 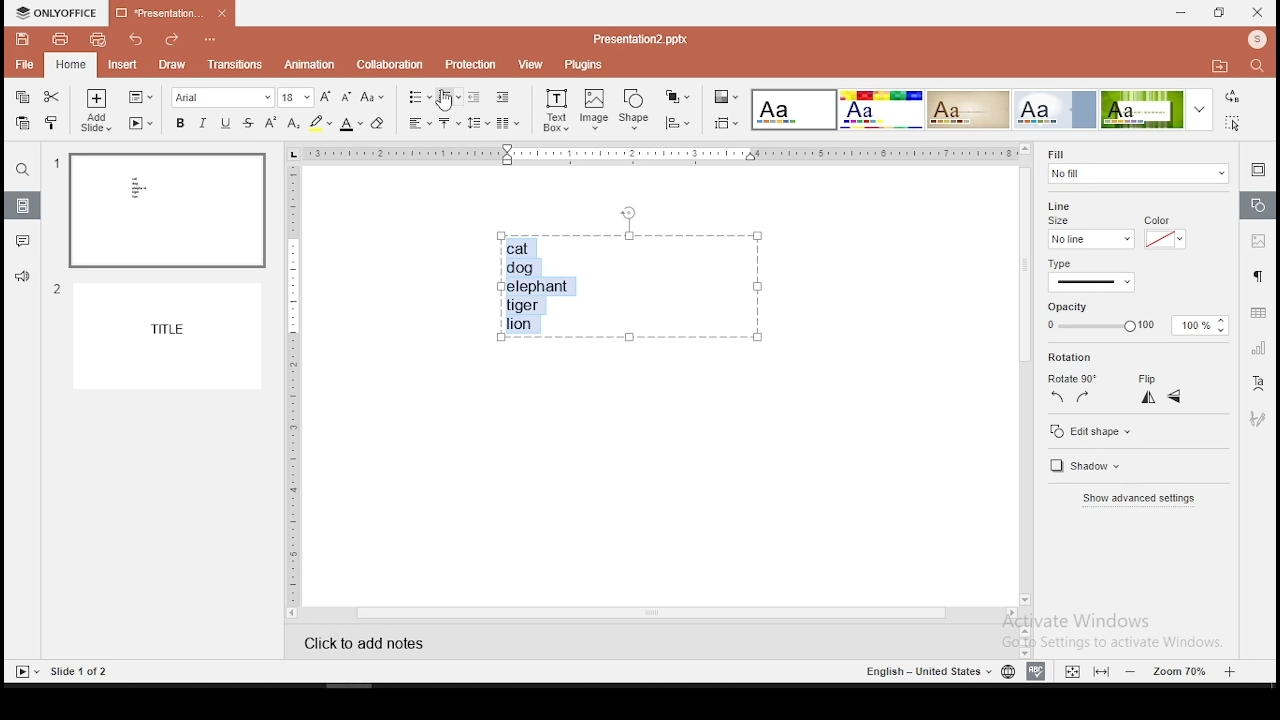 I want to click on bold, so click(x=176, y=123).